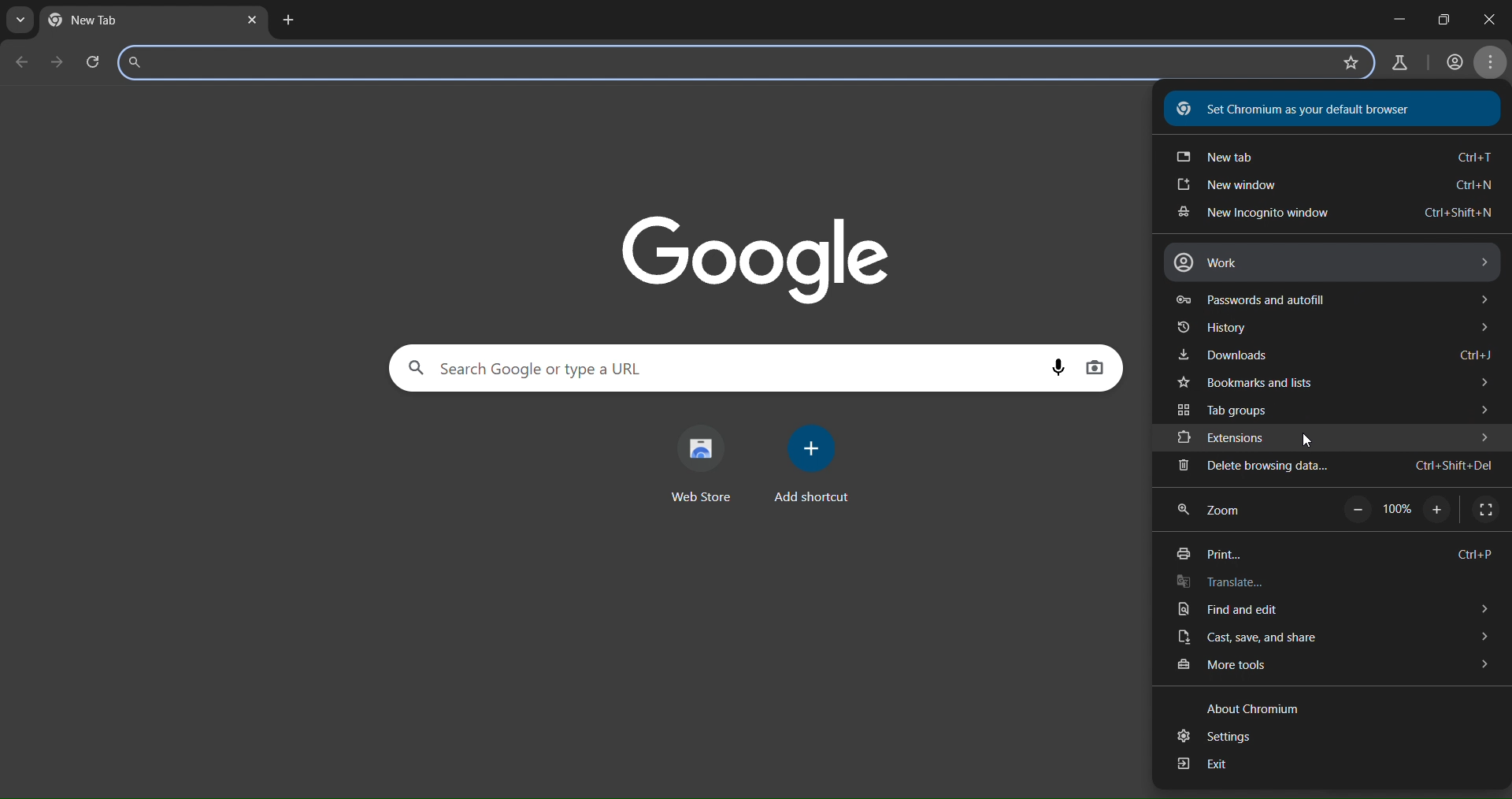 The image size is (1512, 799). I want to click on zoom out, so click(1356, 511).